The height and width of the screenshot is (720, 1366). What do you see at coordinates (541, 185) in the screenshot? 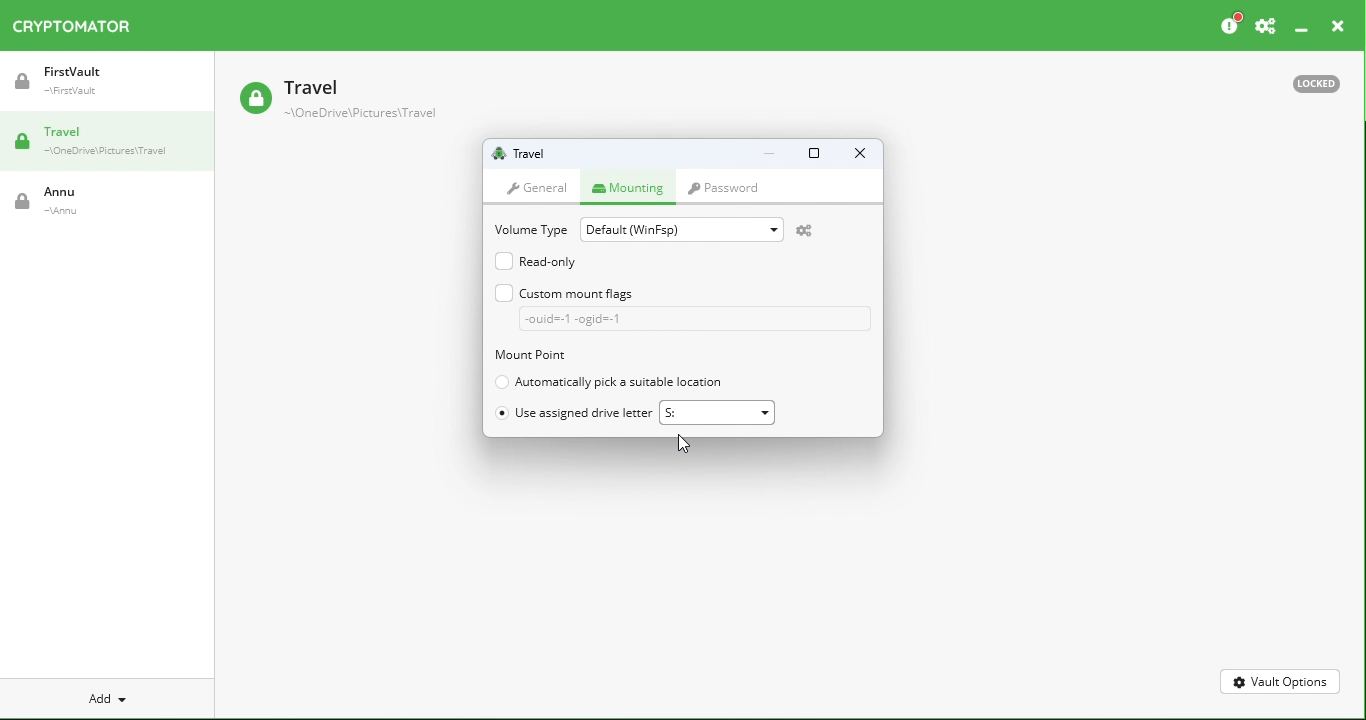
I see `General` at bounding box center [541, 185].